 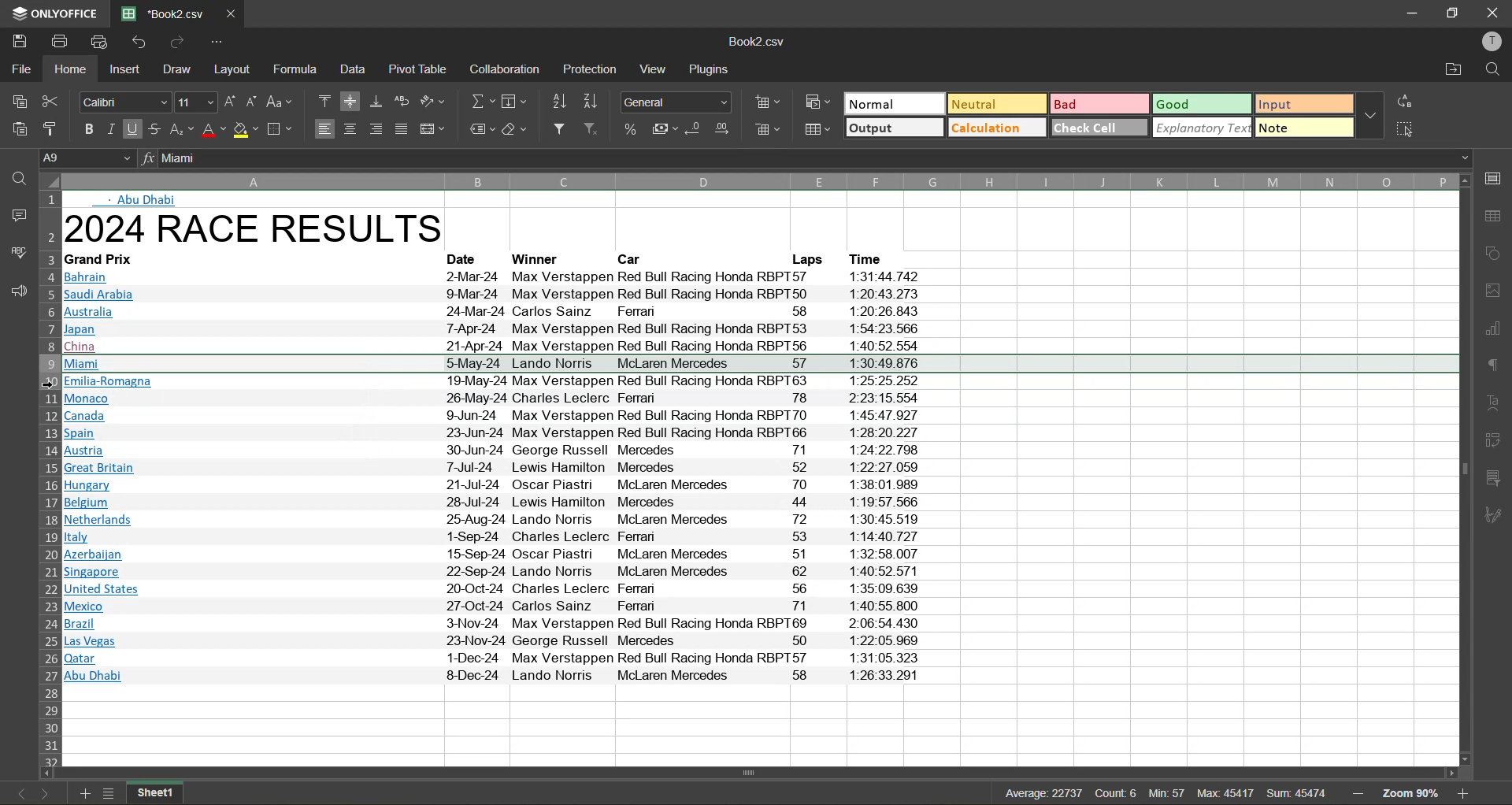 What do you see at coordinates (495, 277) in the screenshot?
I see `Bahrain 2-Mar-24 Max Verstappen Red Bull Racing Honda RBPT57 1:31:44.742` at bounding box center [495, 277].